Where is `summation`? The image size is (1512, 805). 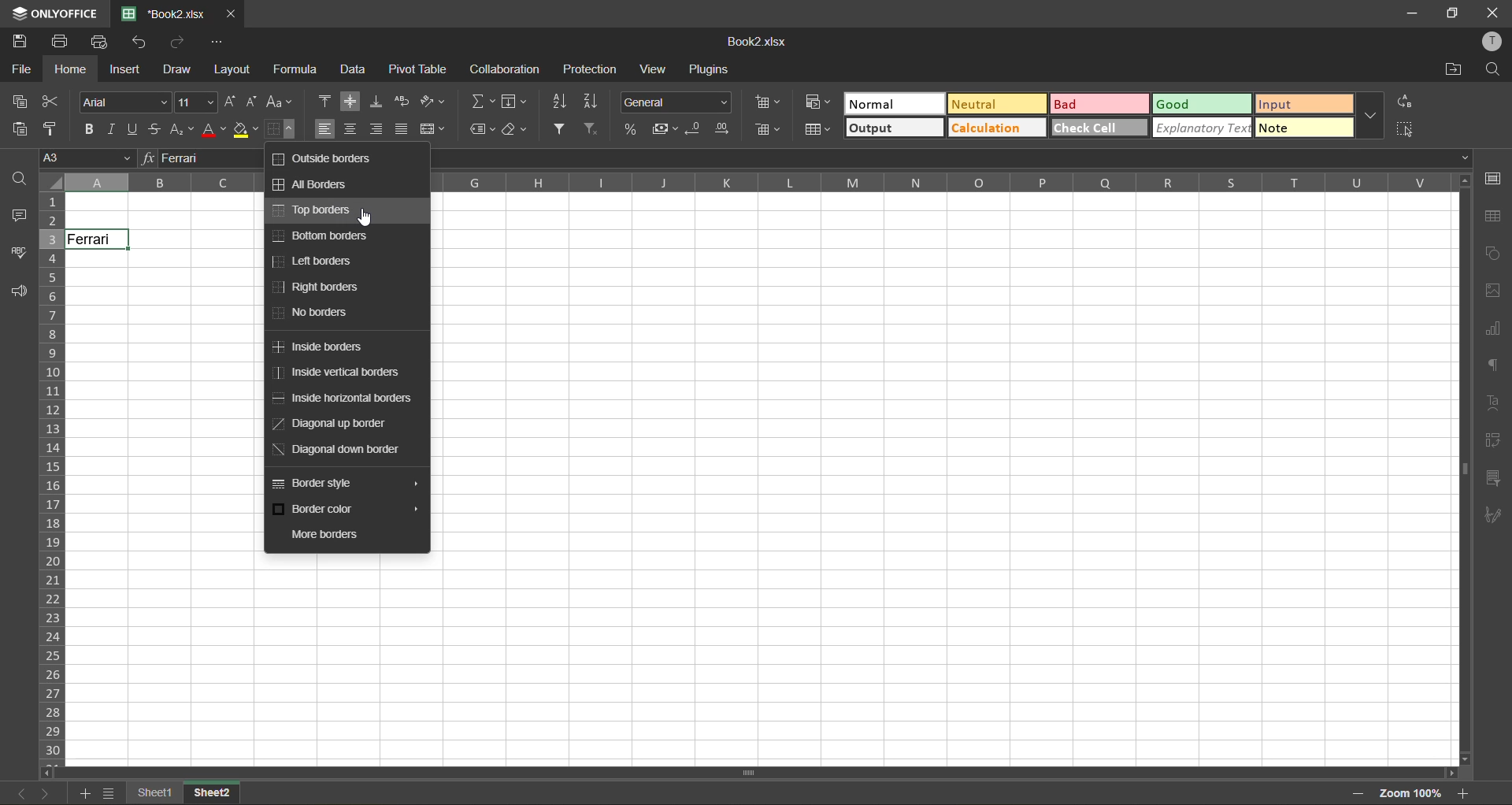
summation is located at coordinates (480, 104).